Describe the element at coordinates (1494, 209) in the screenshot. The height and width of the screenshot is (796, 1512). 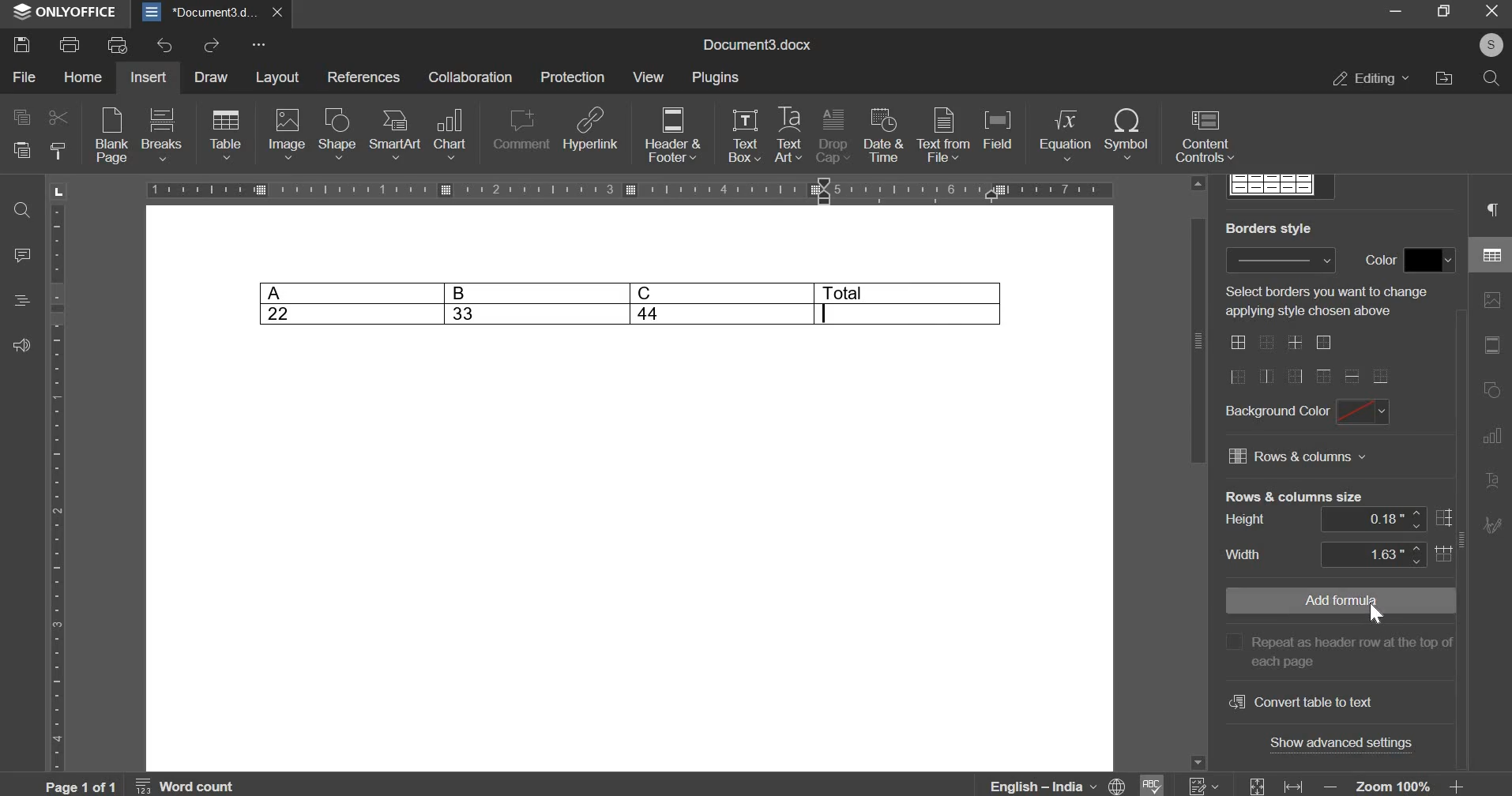
I see `paragraph settings` at that location.